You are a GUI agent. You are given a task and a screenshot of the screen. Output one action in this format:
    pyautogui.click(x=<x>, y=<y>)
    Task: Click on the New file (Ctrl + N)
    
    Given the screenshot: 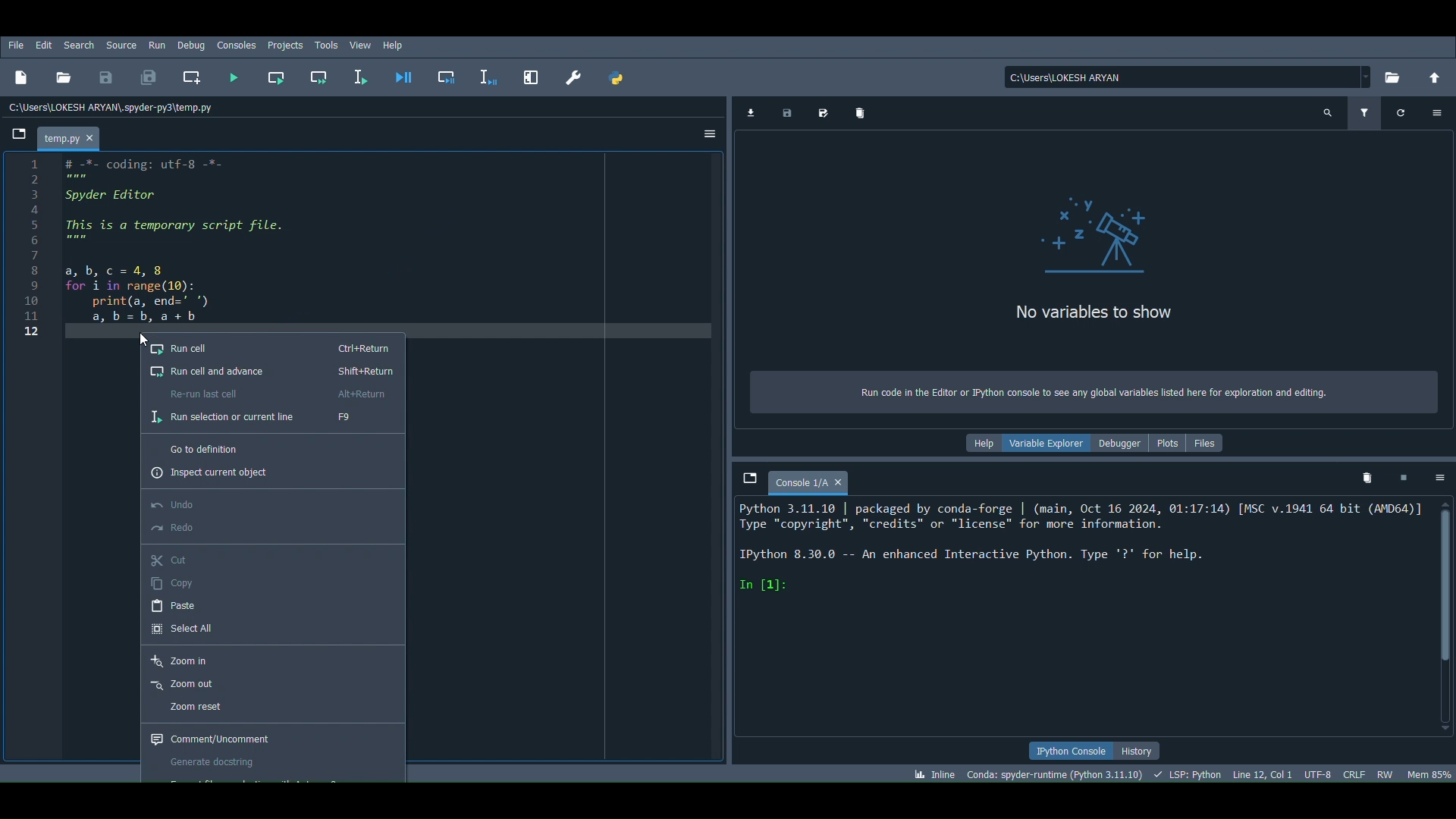 What is the action you would take?
    pyautogui.click(x=21, y=78)
    